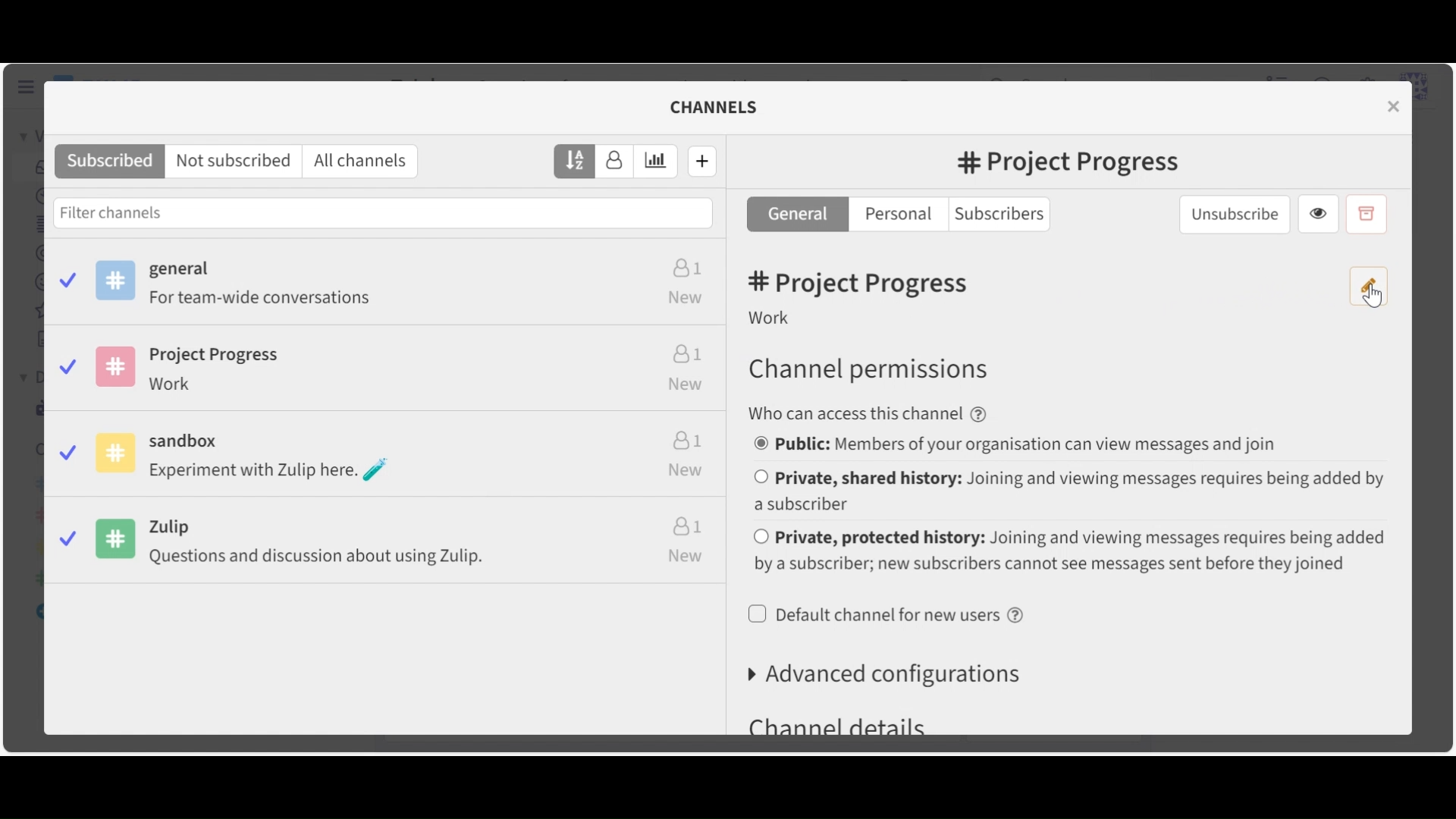  I want to click on project progress, so click(380, 366).